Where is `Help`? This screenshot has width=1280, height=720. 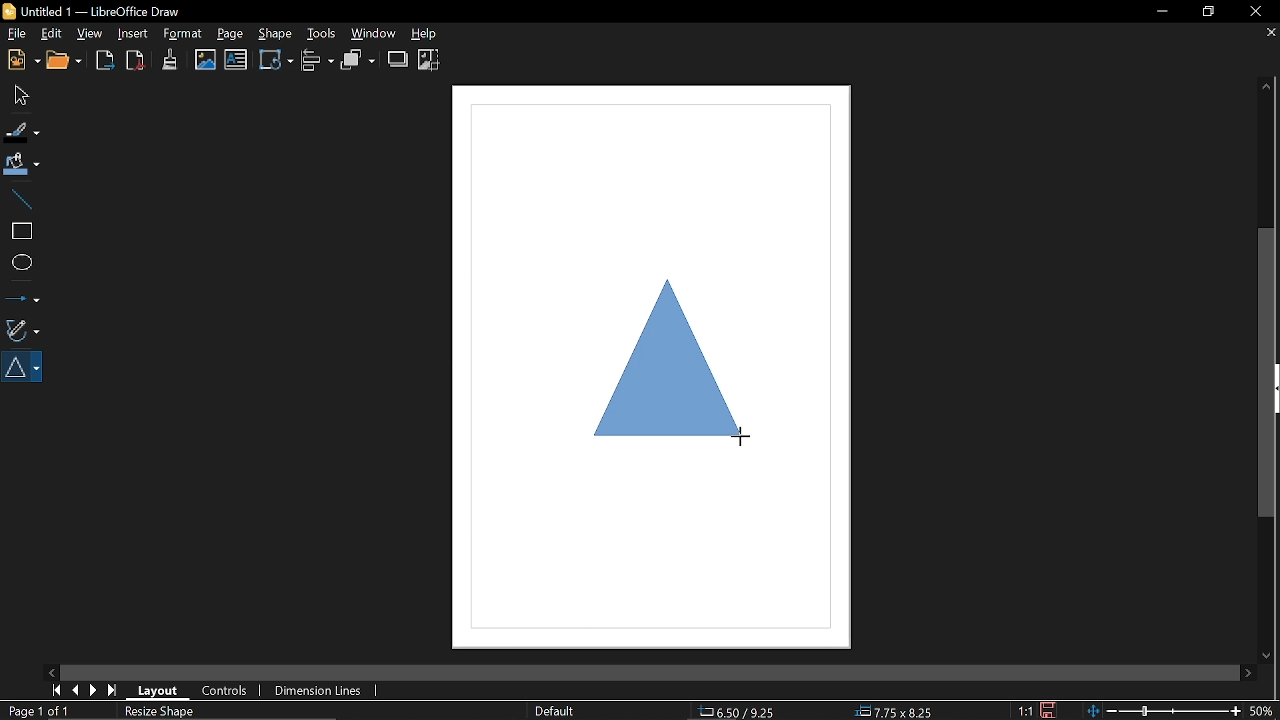 Help is located at coordinates (433, 33).